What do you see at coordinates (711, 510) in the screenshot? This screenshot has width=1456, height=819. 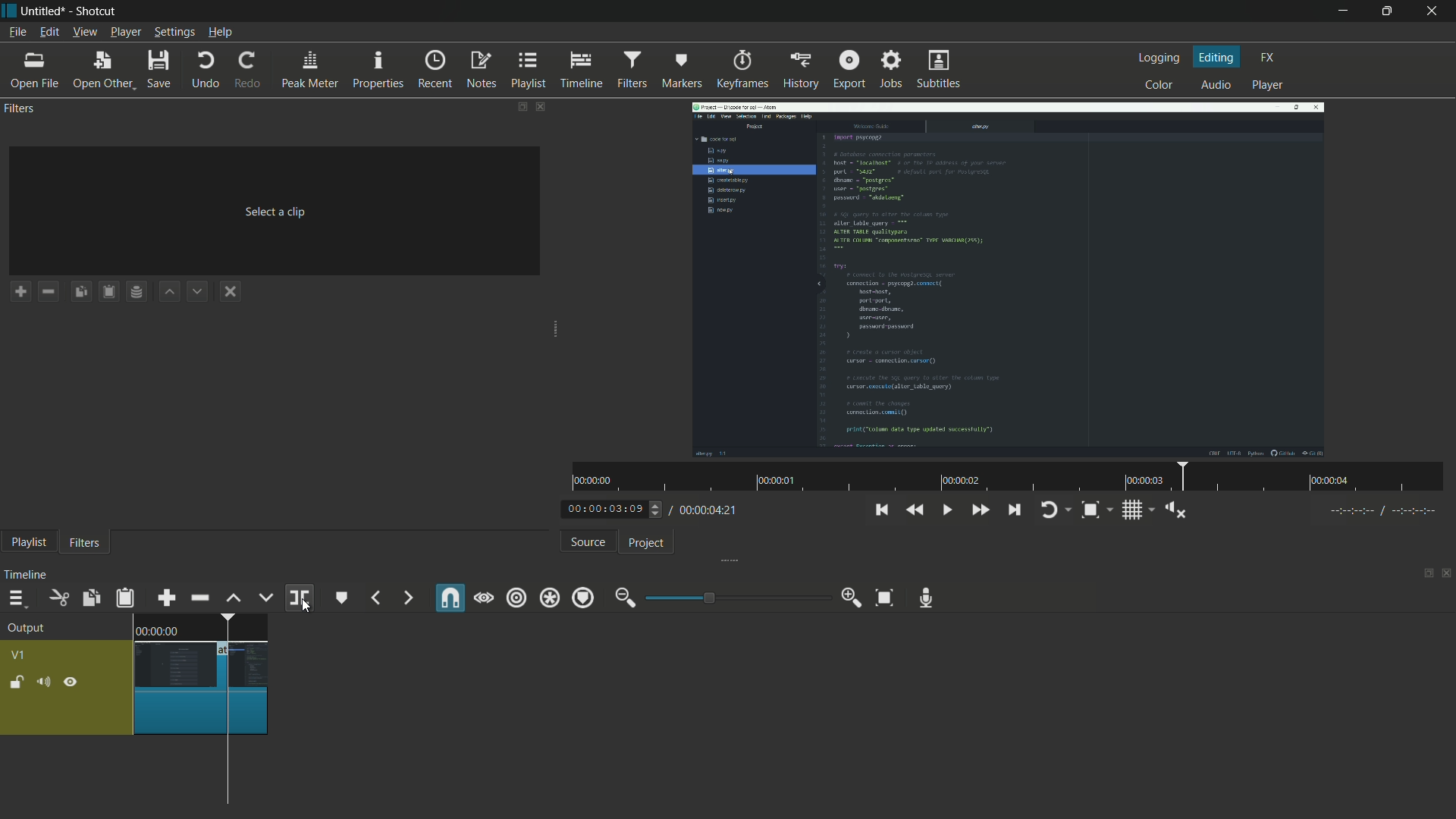 I see `total time` at bounding box center [711, 510].